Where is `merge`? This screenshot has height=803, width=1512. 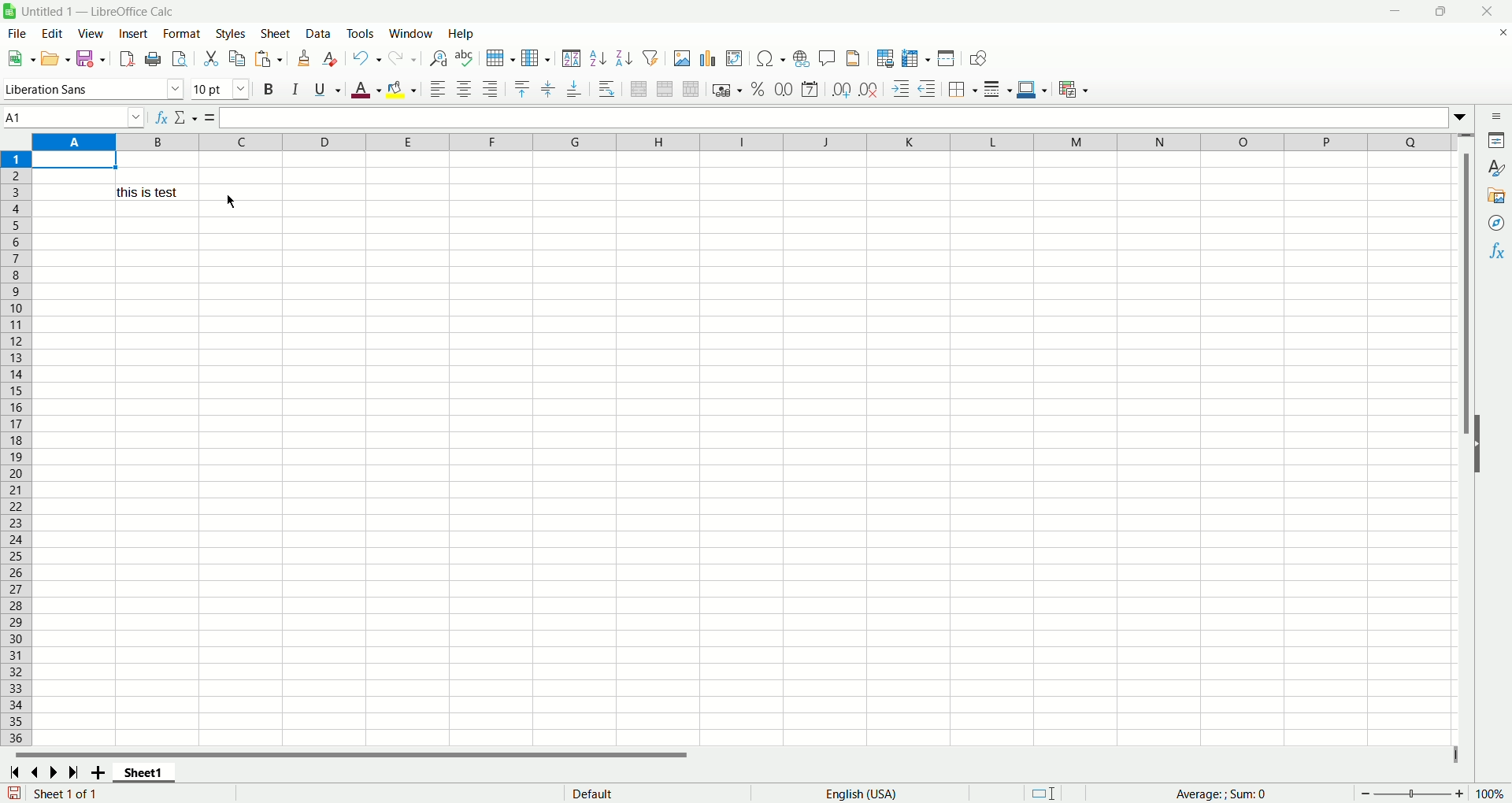
merge is located at coordinates (665, 89).